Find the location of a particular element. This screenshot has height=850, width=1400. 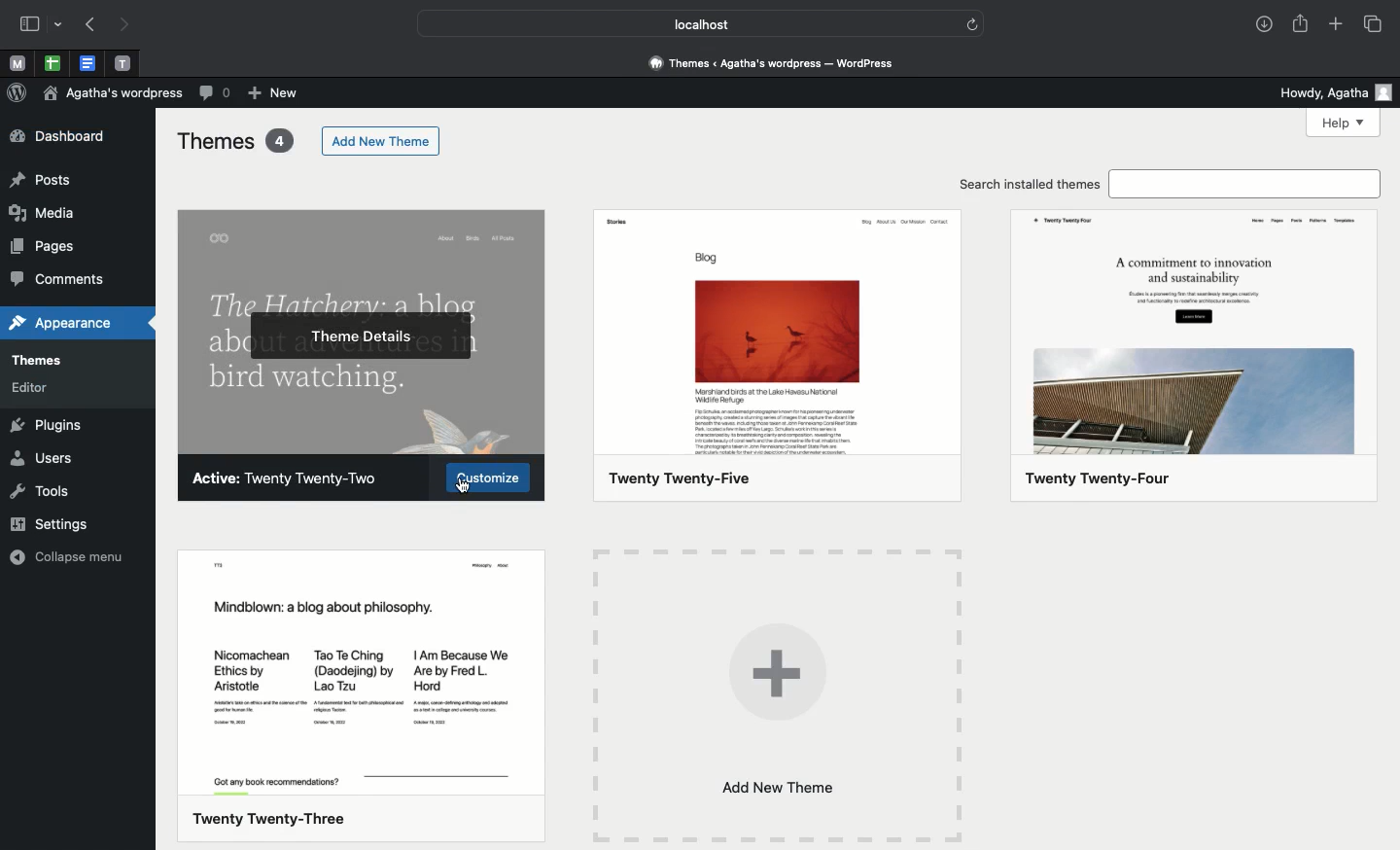

New is located at coordinates (274, 94).